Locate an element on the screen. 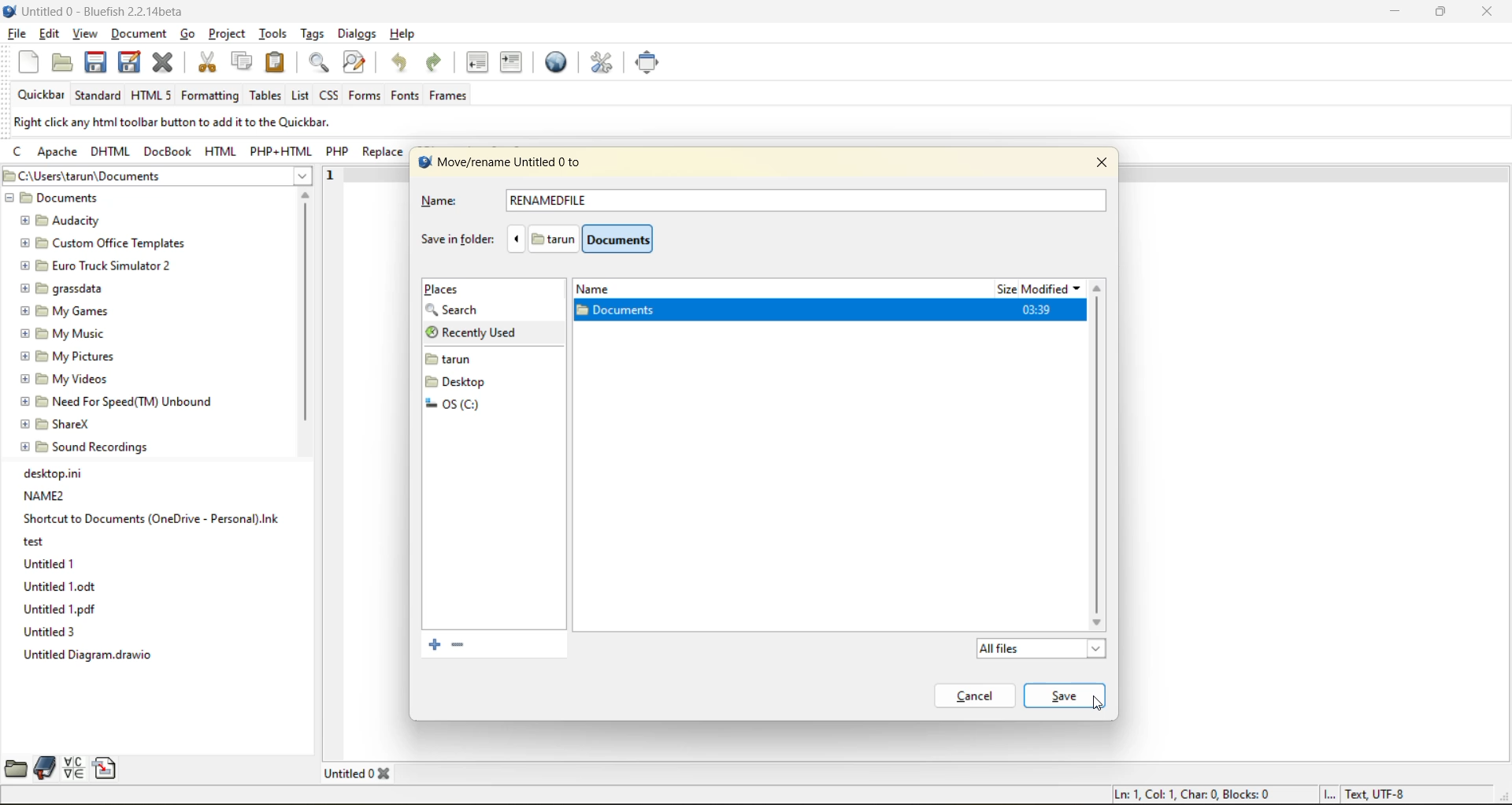 This screenshot has width=1512, height=805. file name and app name is located at coordinates (121, 14).